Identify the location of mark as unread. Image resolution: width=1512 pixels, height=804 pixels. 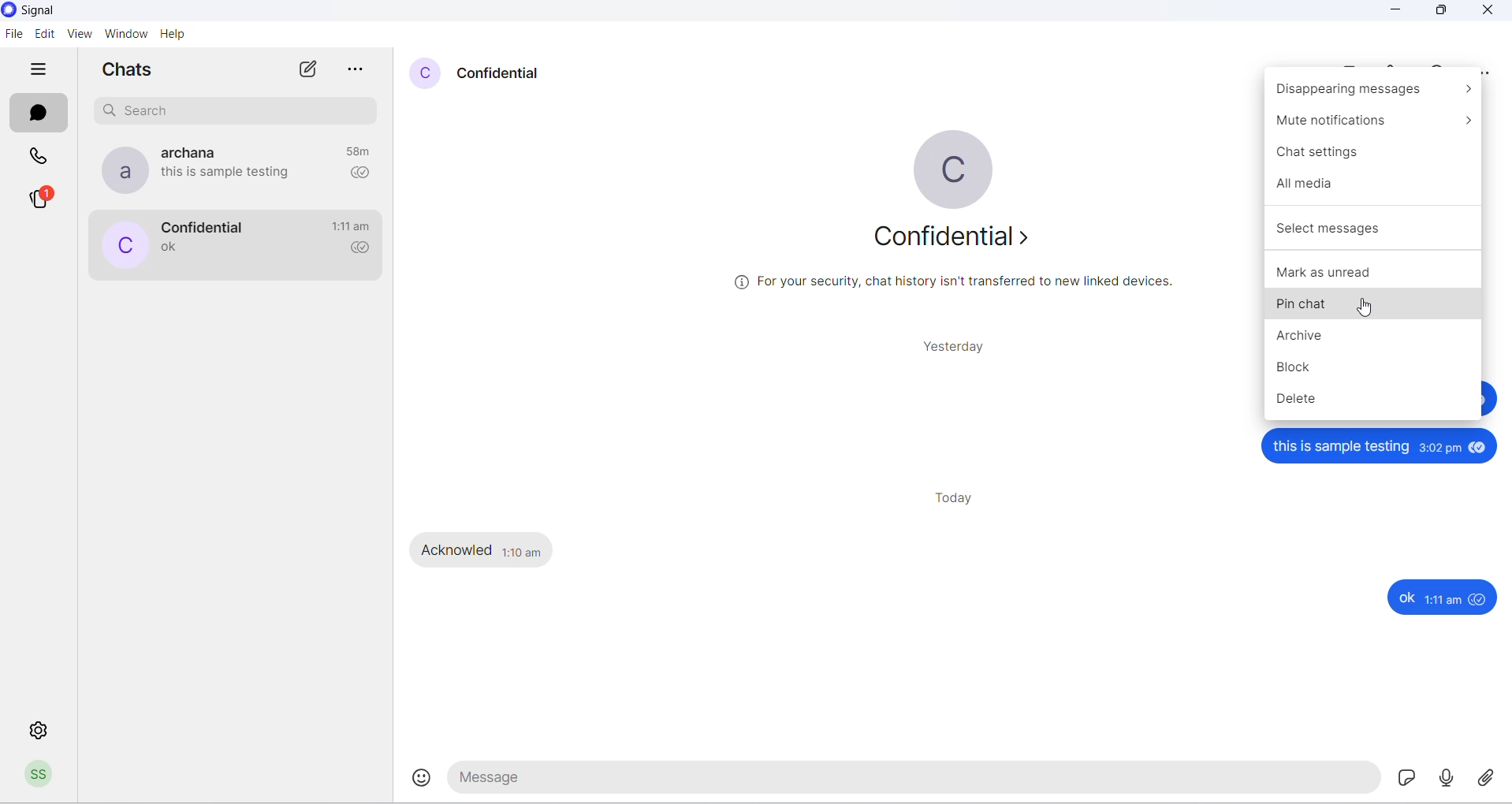
(1372, 273).